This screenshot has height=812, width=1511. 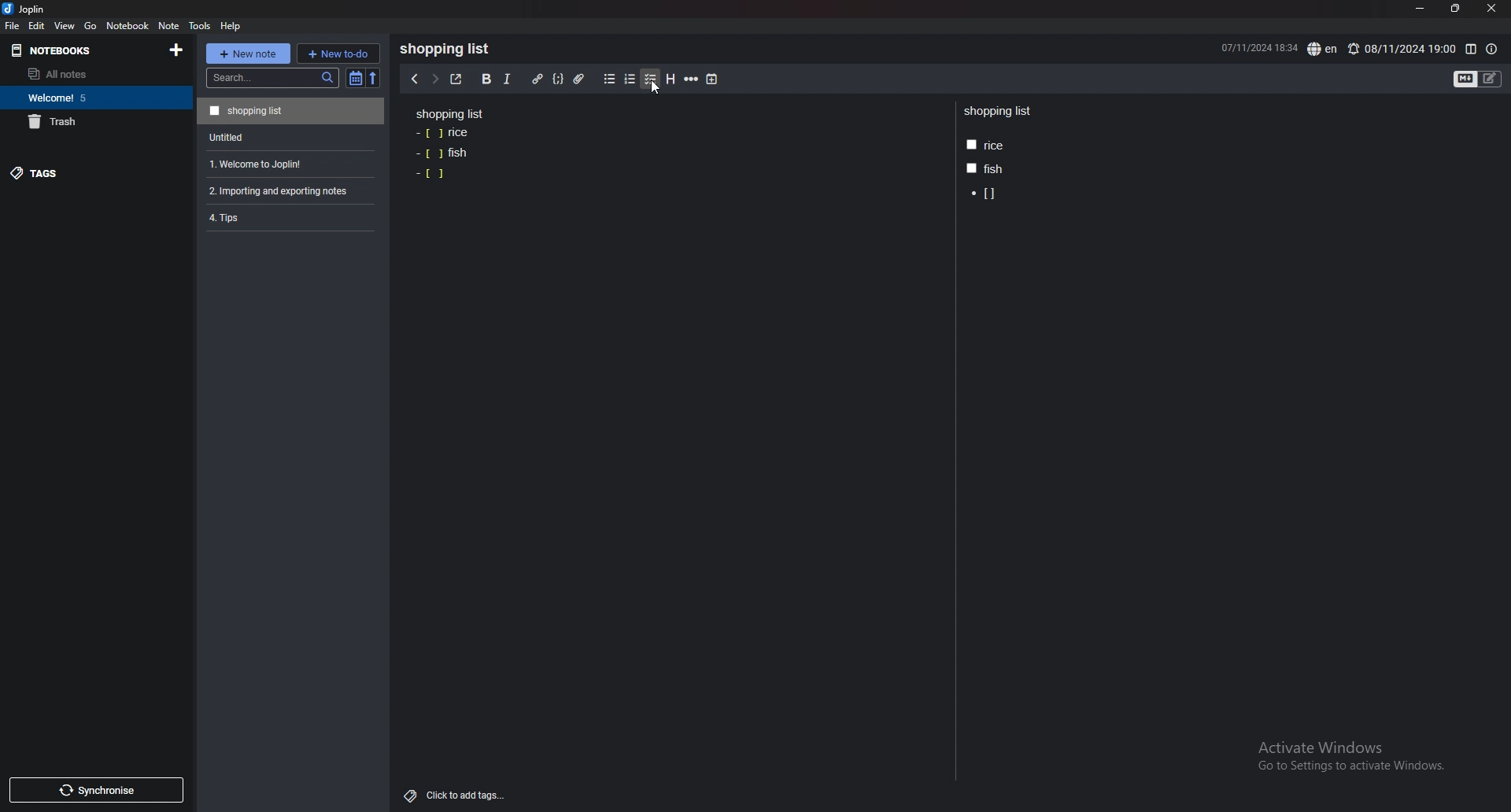 What do you see at coordinates (691, 79) in the screenshot?
I see `horizontal rule` at bounding box center [691, 79].